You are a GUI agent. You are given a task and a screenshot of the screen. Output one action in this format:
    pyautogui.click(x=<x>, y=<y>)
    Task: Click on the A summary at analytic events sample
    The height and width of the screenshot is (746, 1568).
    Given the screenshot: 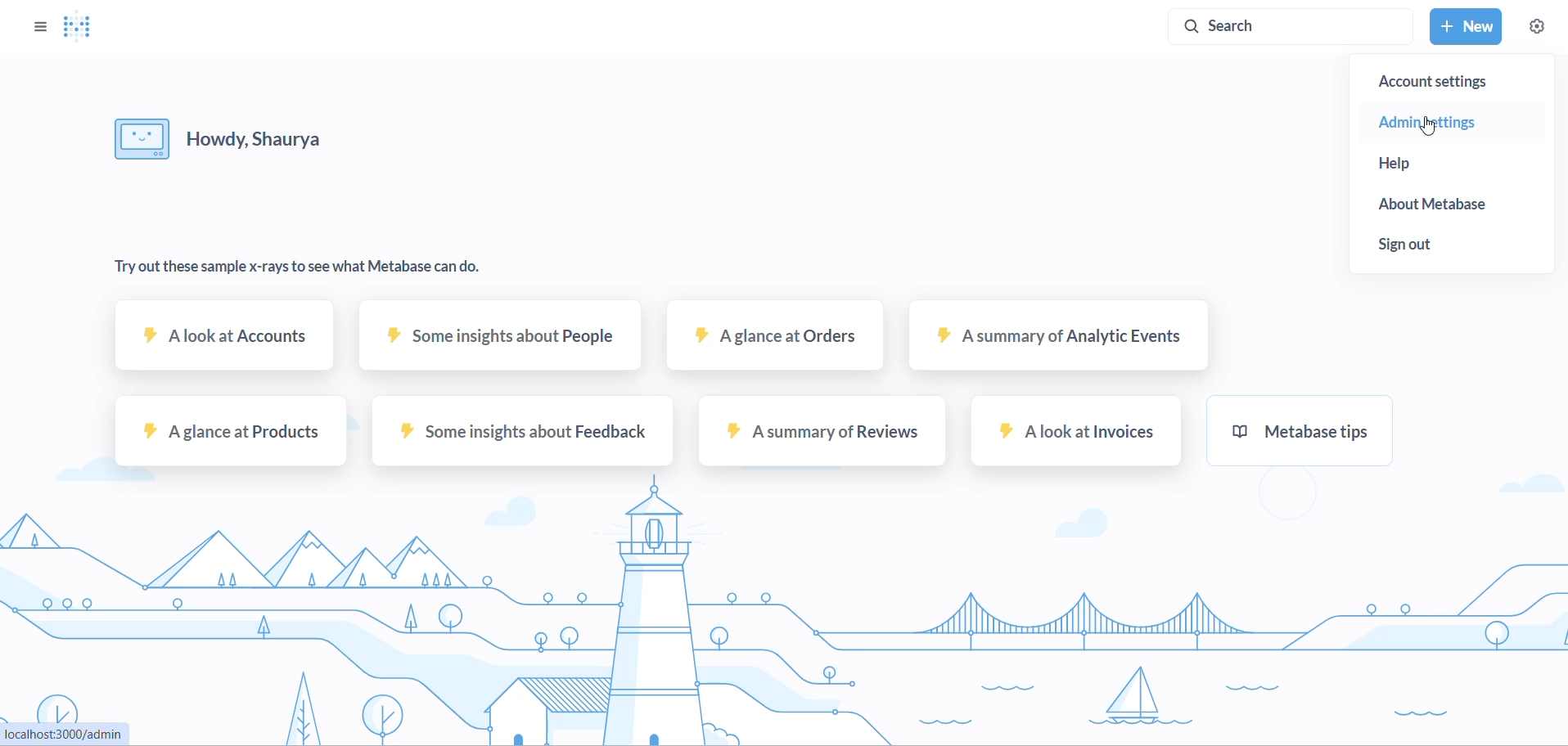 What is the action you would take?
    pyautogui.click(x=1060, y=339)
    